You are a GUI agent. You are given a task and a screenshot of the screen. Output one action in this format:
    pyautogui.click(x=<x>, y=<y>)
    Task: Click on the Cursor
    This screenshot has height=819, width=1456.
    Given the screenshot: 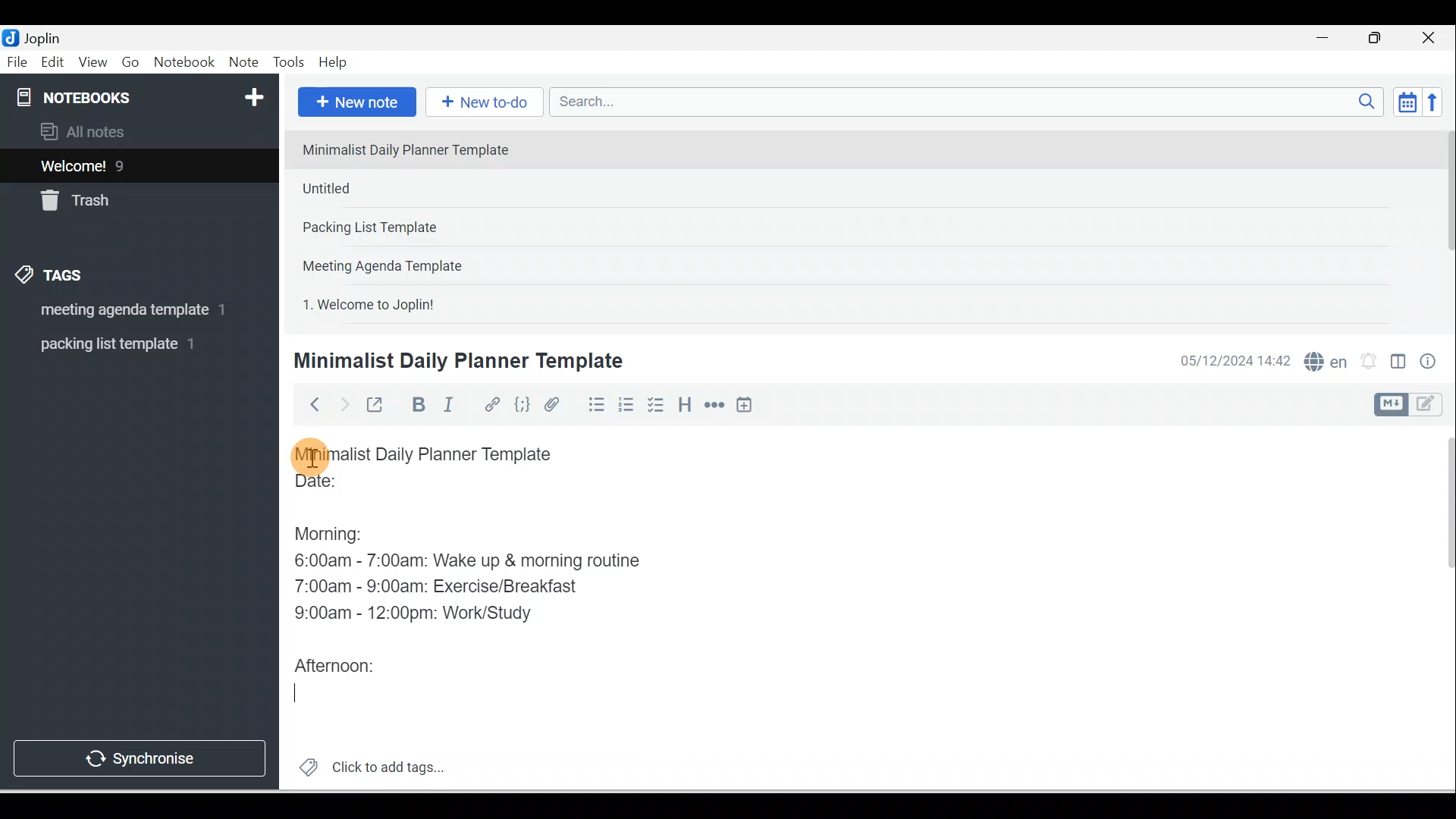 What is the action you would take?
    pyautogui.click(x=311, y=455)
    